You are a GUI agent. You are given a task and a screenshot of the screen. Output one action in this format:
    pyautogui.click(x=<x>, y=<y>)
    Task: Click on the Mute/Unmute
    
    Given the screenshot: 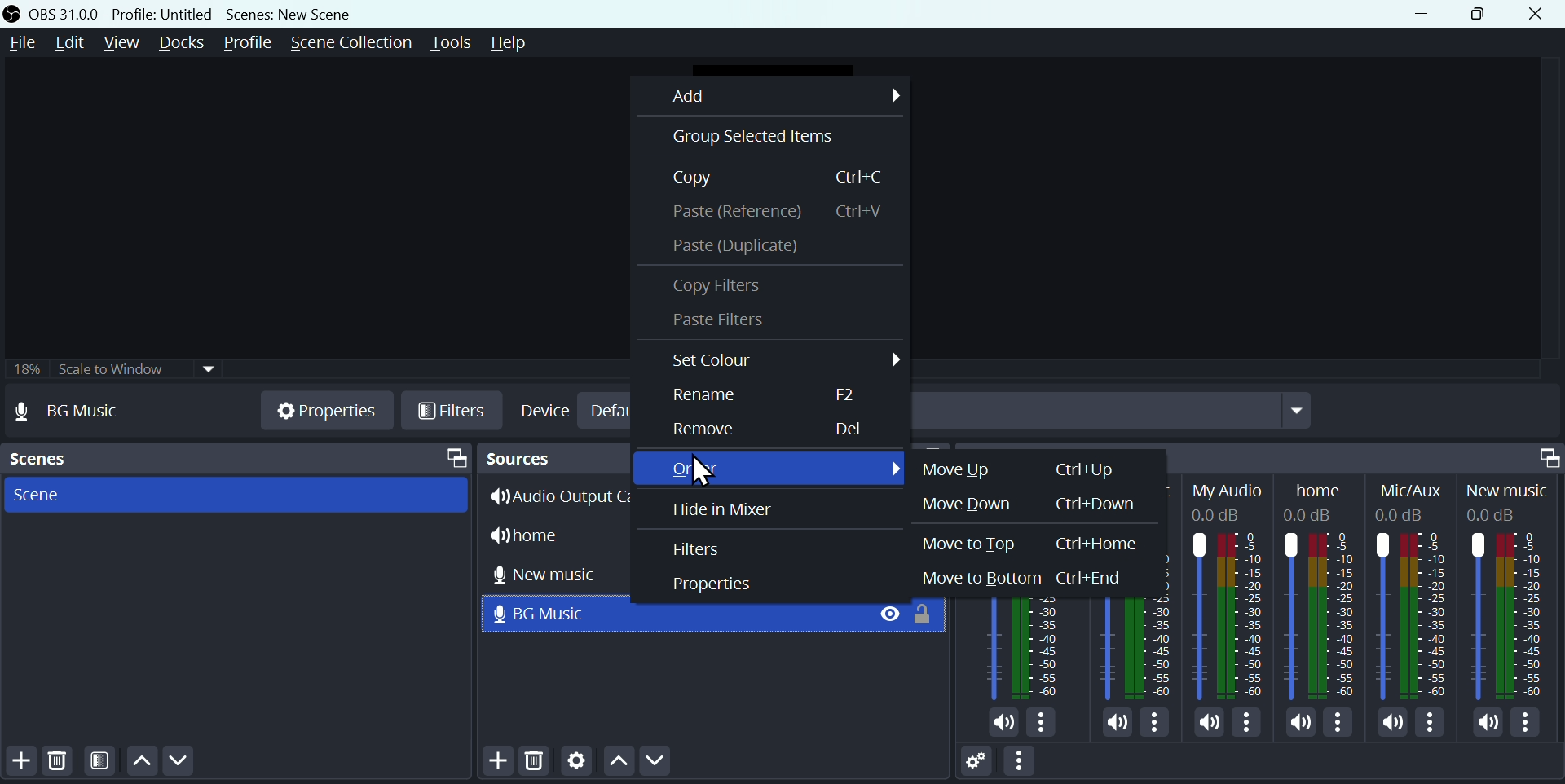 What is the action you would take?
    pyautogui.click(x=1294, y=722)
    